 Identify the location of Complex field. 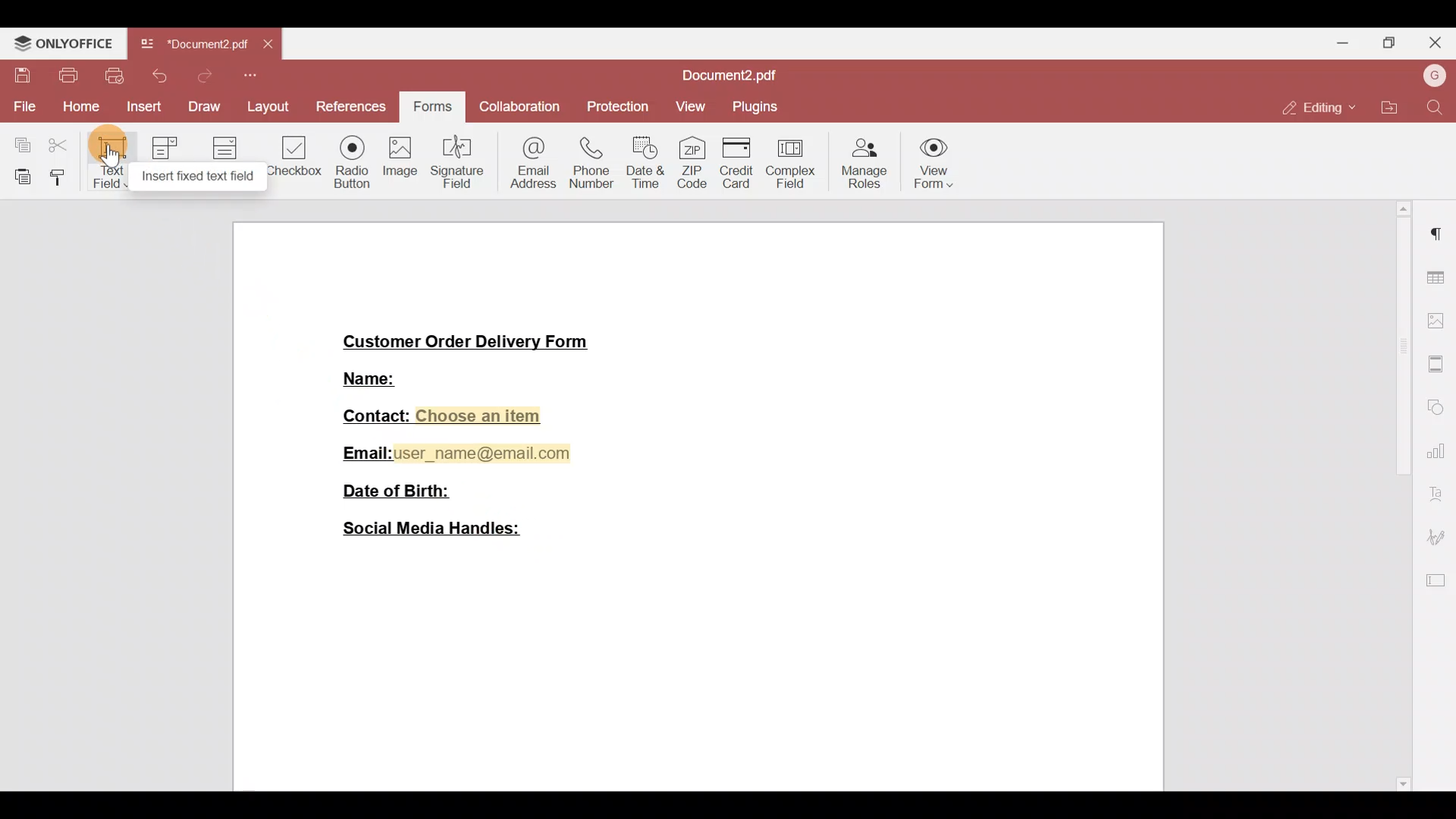
(795, 160).